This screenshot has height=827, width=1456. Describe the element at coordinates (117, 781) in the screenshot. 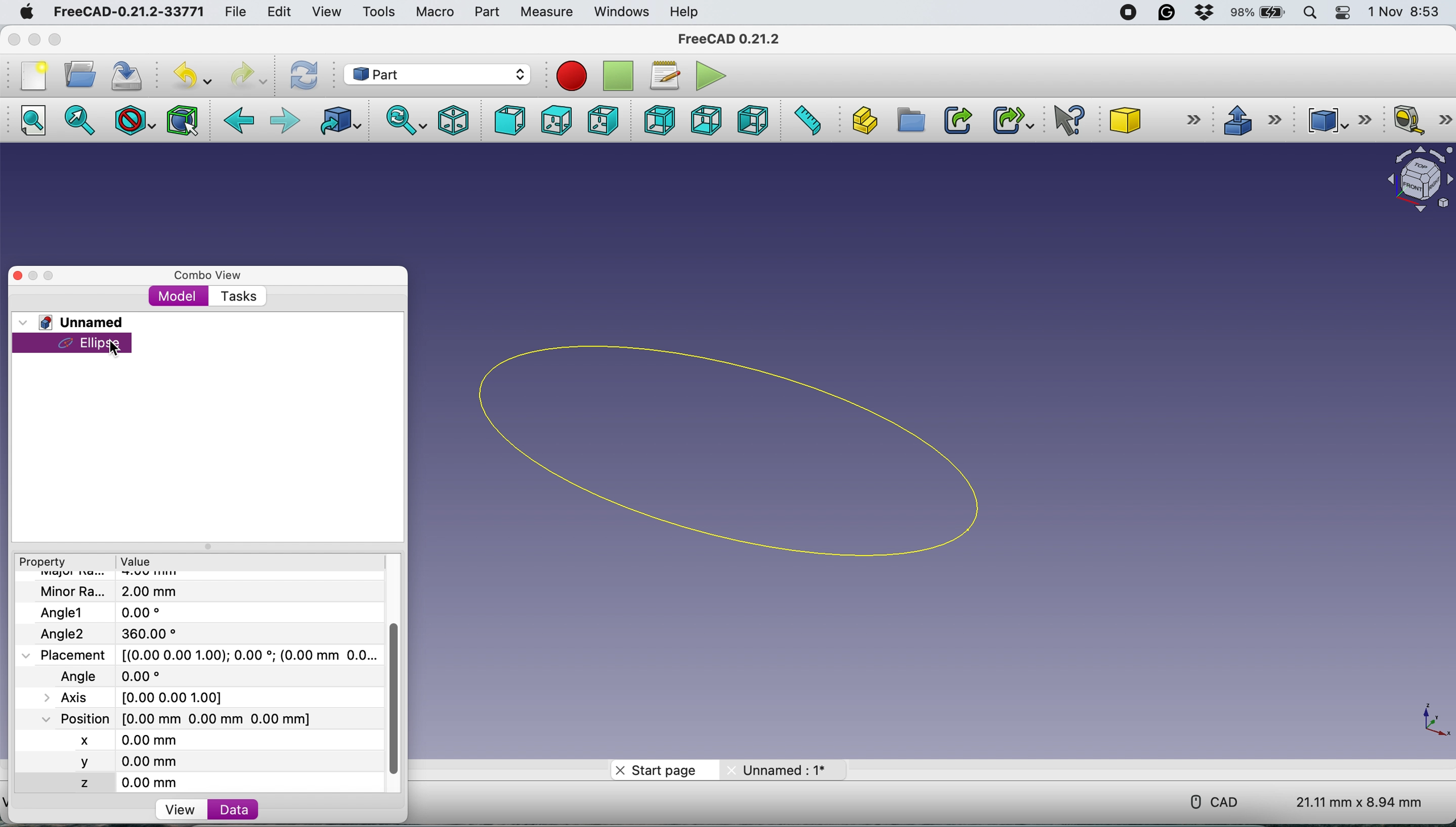

I see `z` at that location.